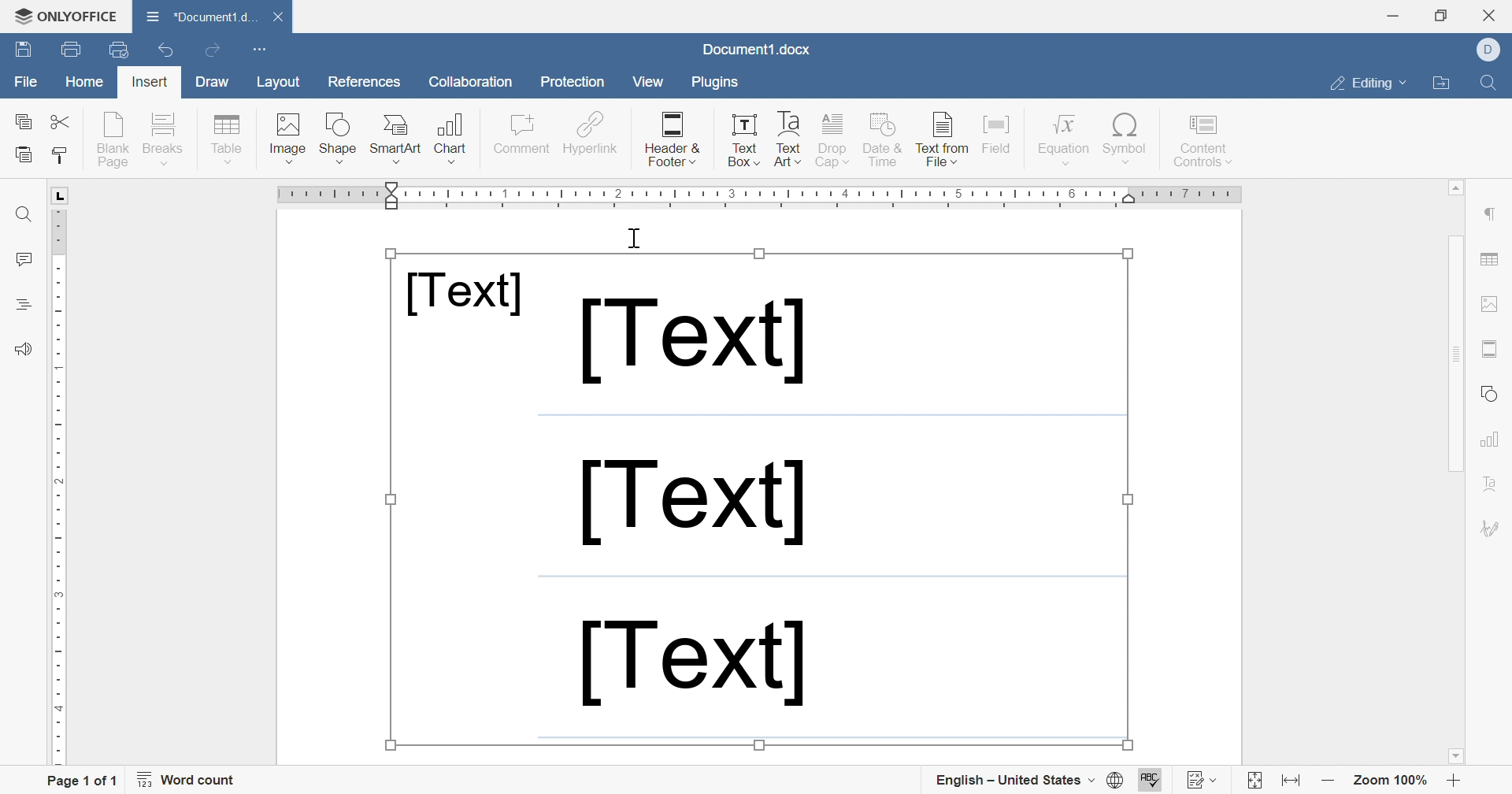 This screenshot has width=1512, height=794. What do you see at coordinates (1151, 778) in the screenshot?
I see `Spell checking` at bounding box center [1151, 778].